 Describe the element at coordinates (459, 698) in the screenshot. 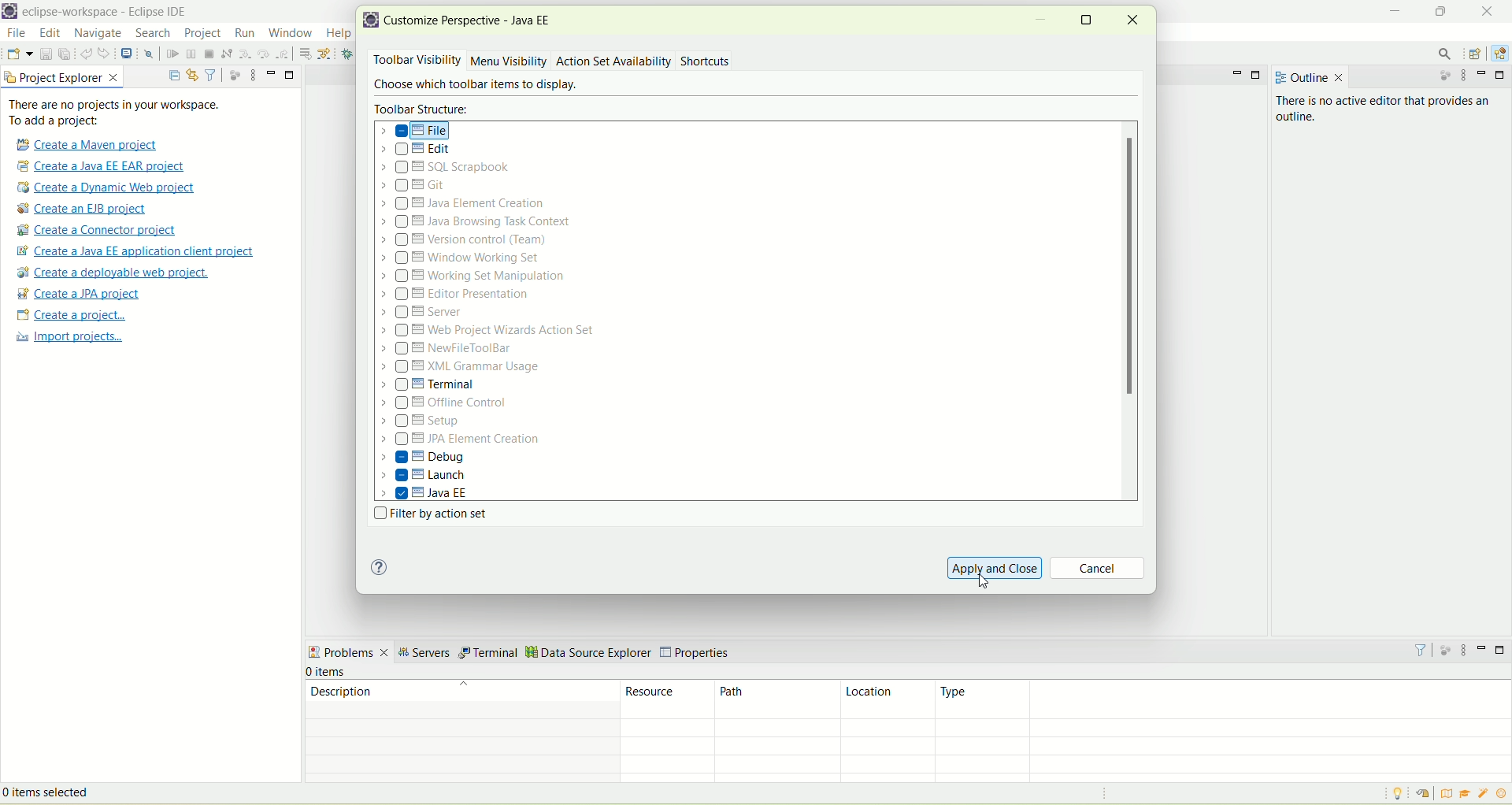

I see `description` at that location.